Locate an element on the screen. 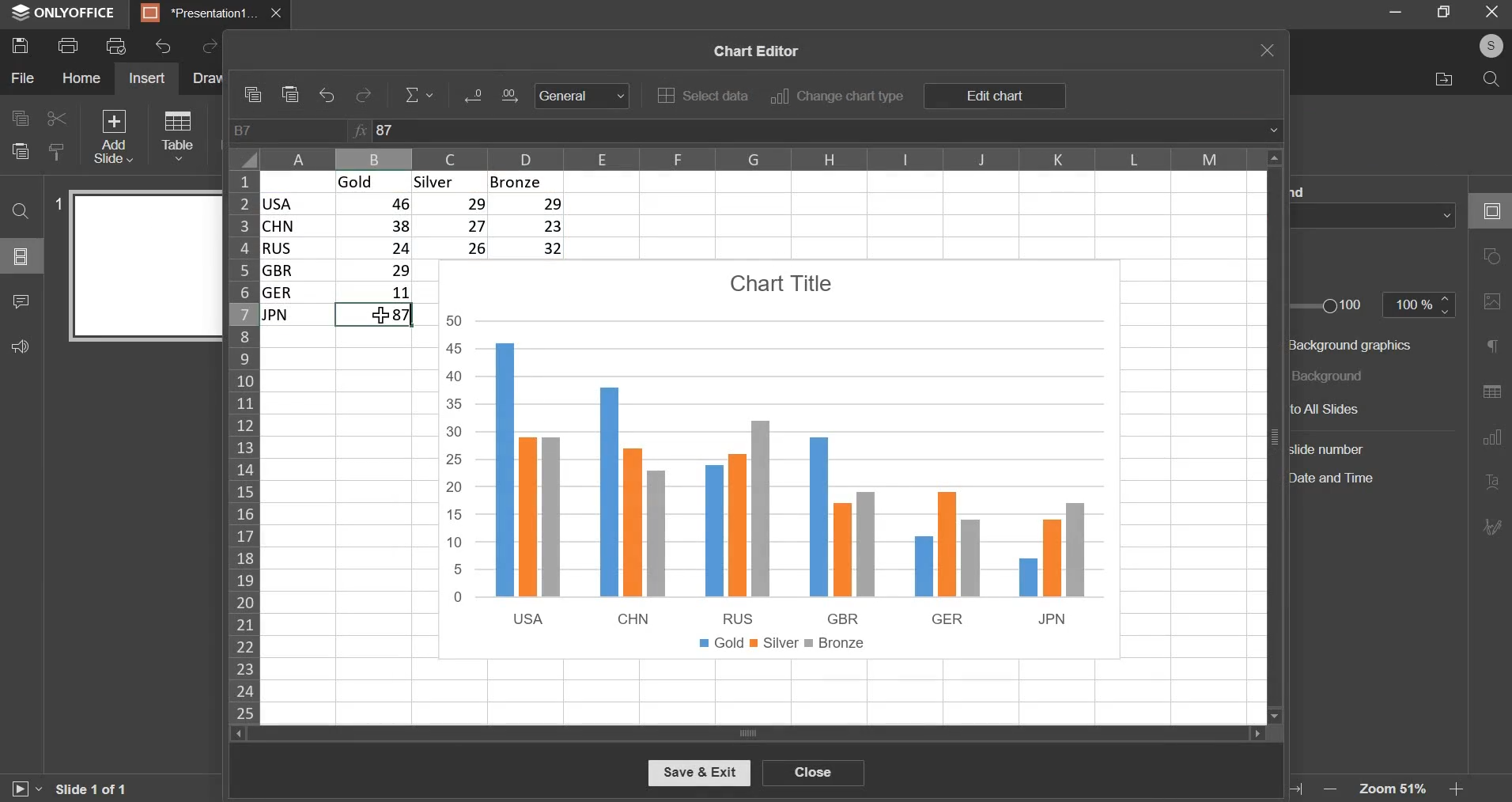 The width and height of the screenshot is (1512, 802). 7 is located at coordinates (376, 316).